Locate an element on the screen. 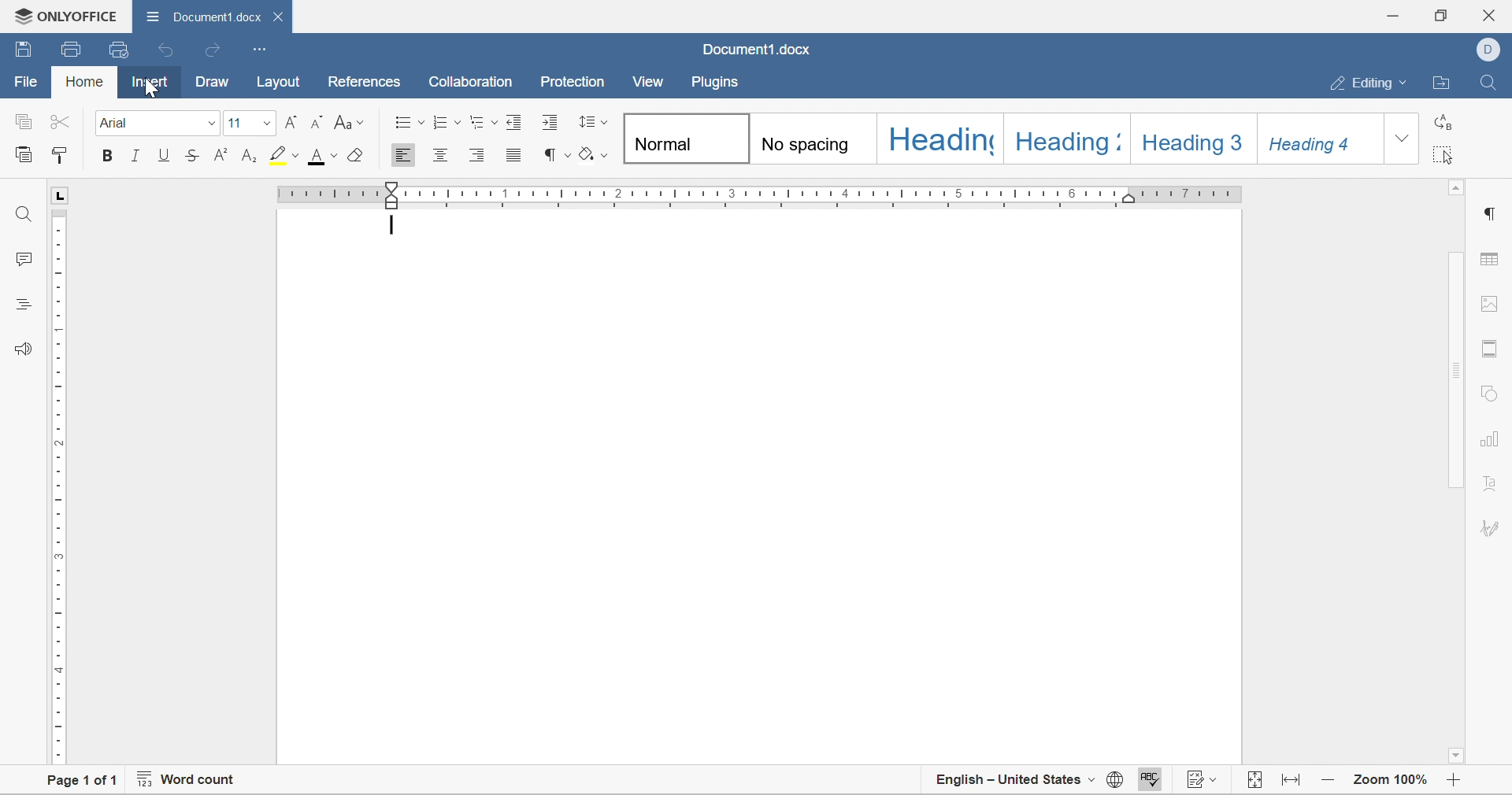  Fit to page is located at coordinates (1293, 782).